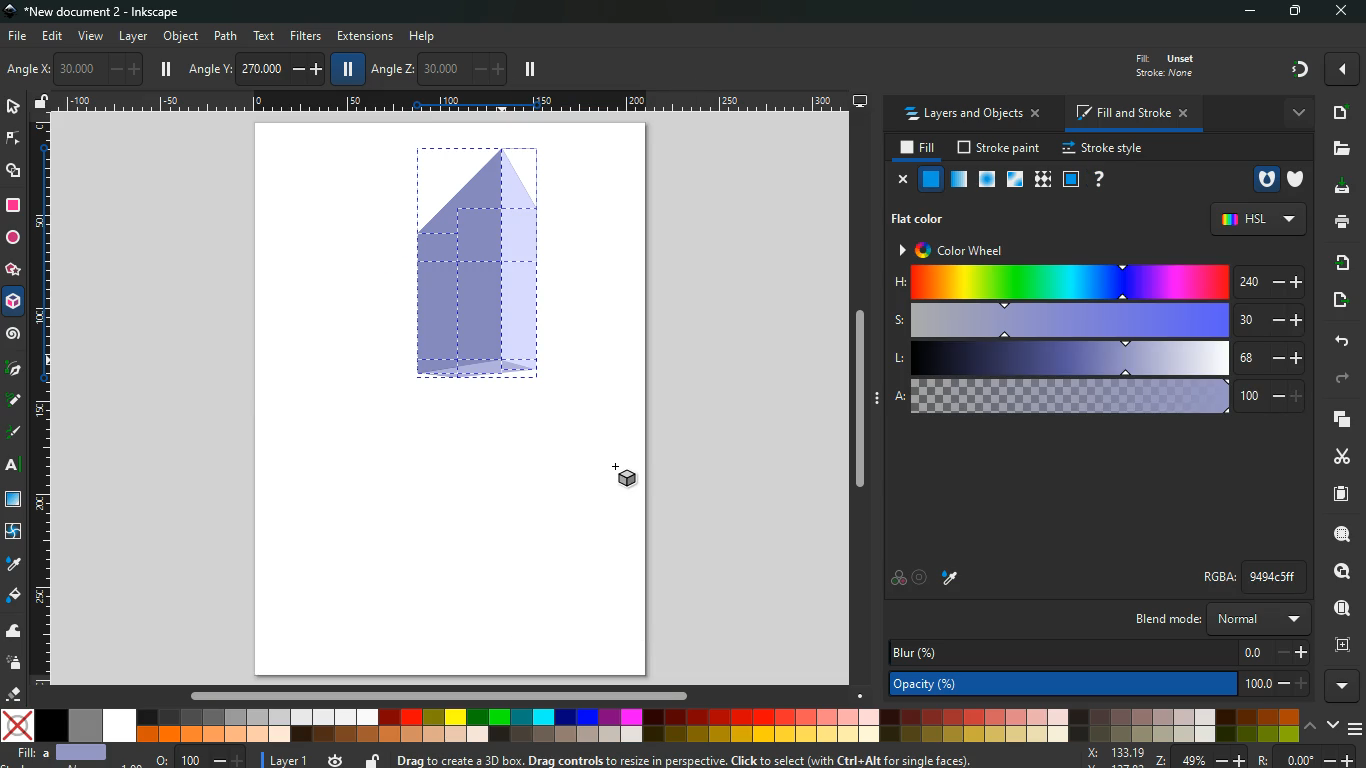 The height and width of the screenshot is (768, 1366). Describe the element at coordinates (196, 758) in the screenshot. I see `o` at that location.